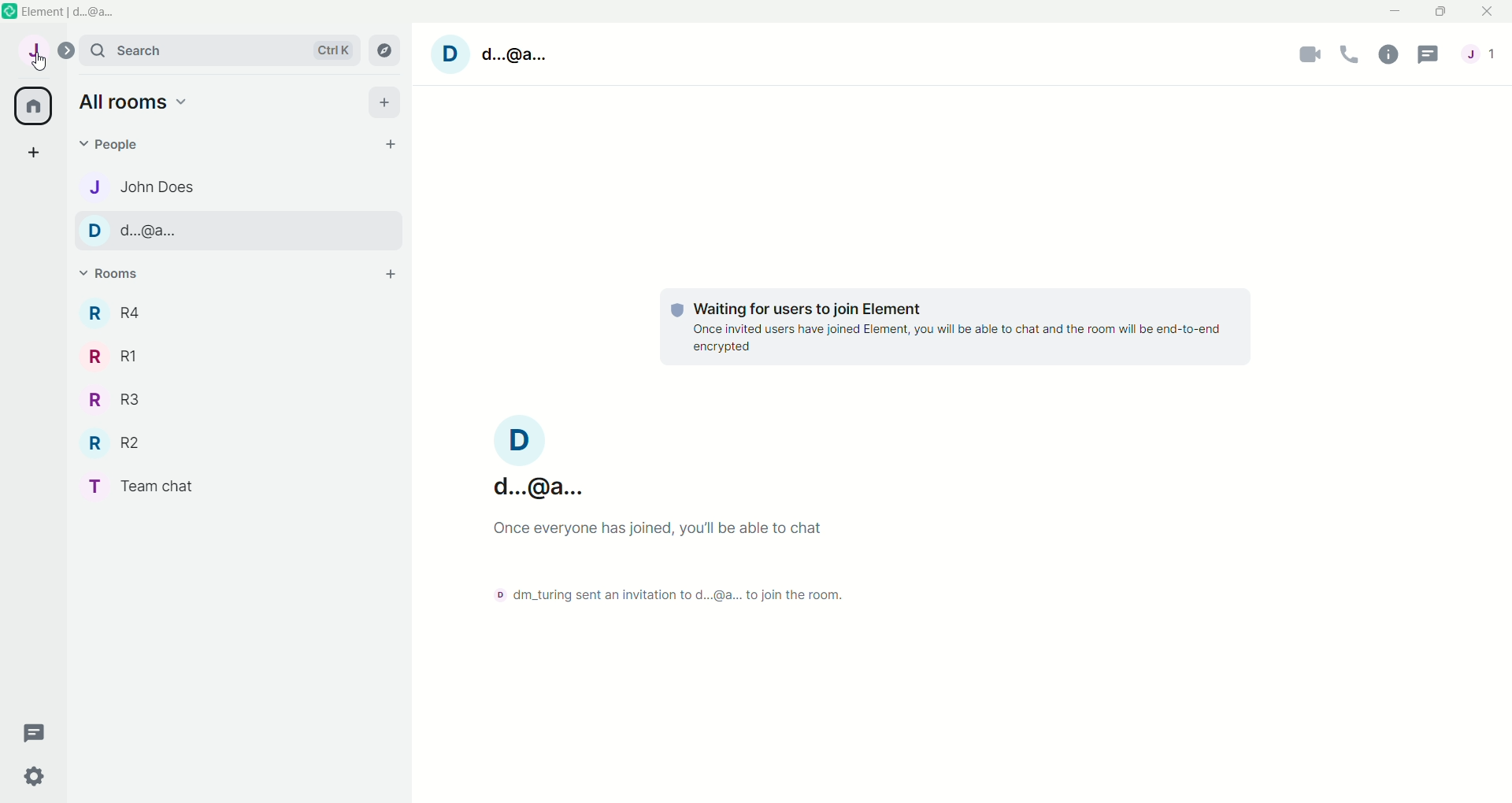 This screenshot has height=803, width=1512. I want to click on Username, so click(484, 57).